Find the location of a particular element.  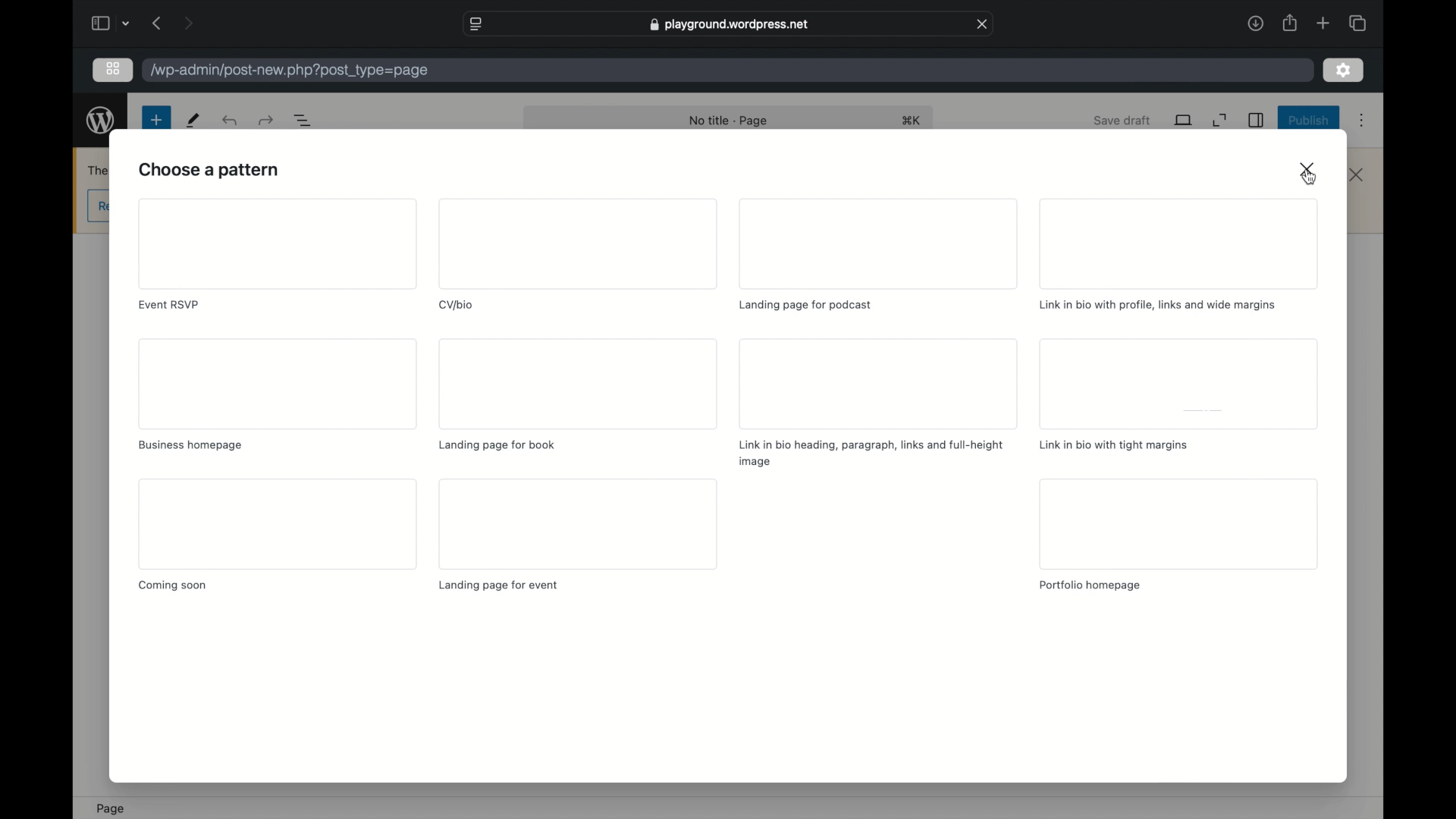

view is located at coordinates (1184, 120).